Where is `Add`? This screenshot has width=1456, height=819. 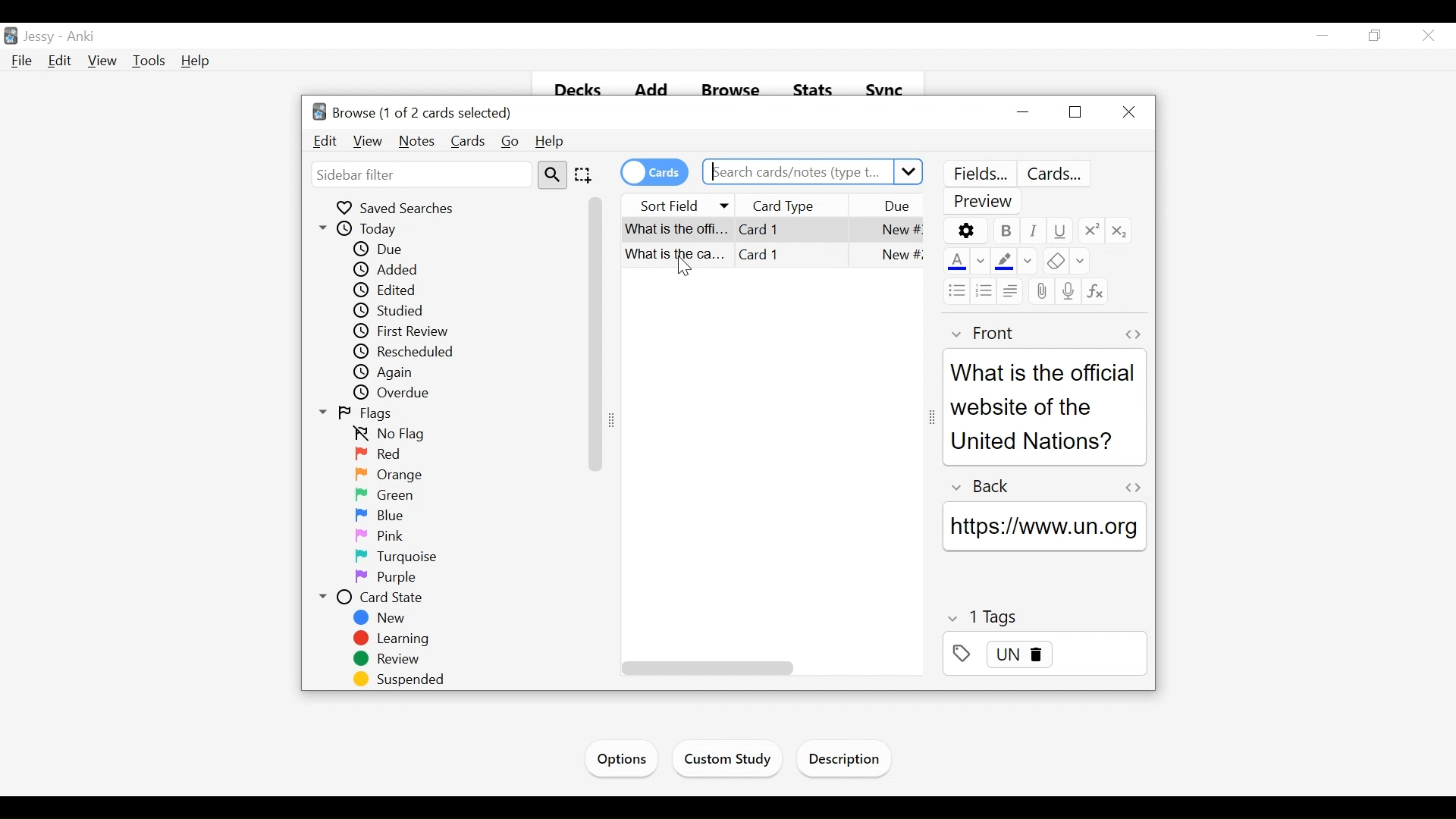
Add is located at coordinates (649, 91).